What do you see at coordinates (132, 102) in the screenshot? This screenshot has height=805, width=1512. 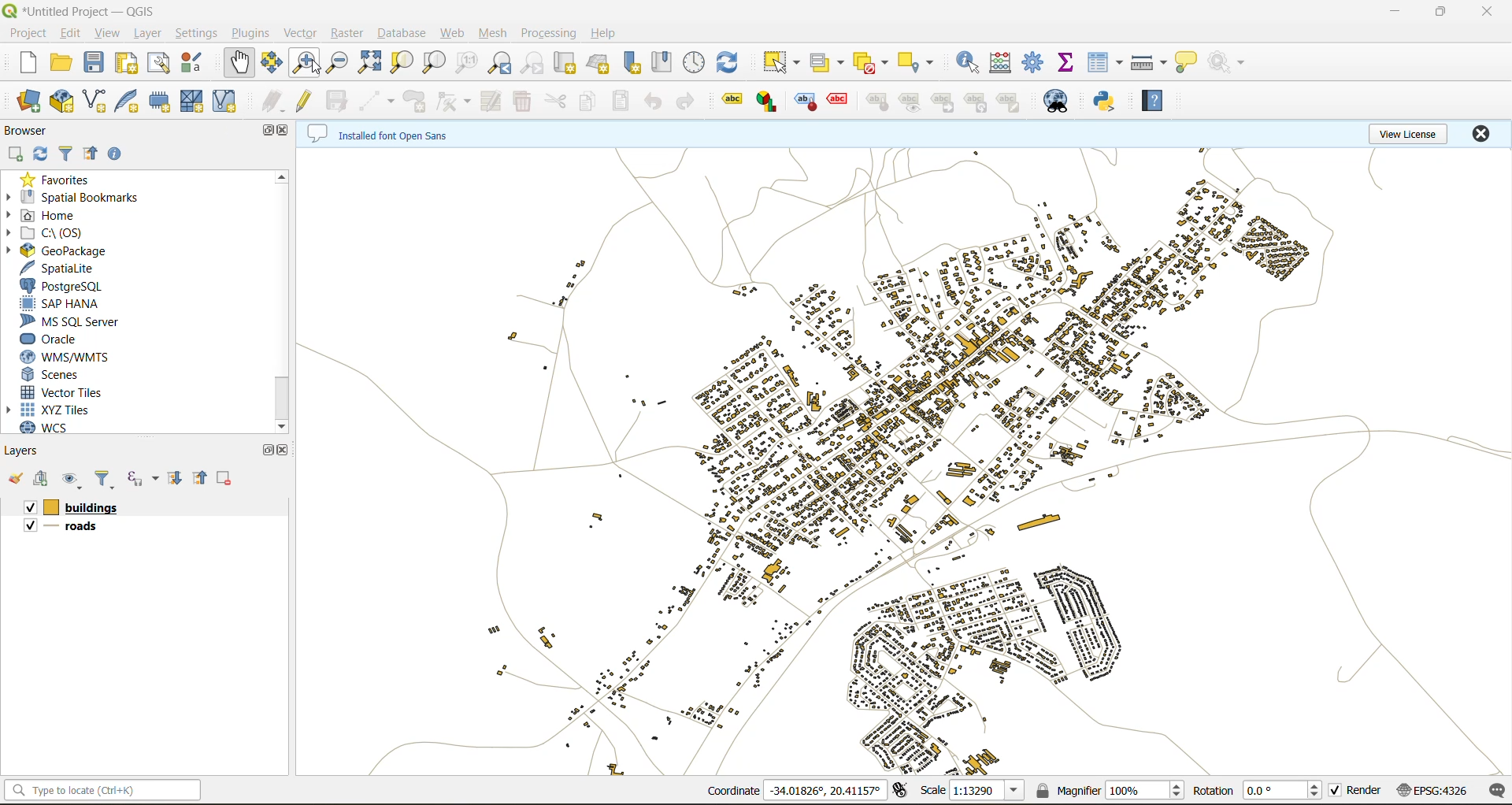 I see `new spatialite layer` at bounding box center [132, 102].